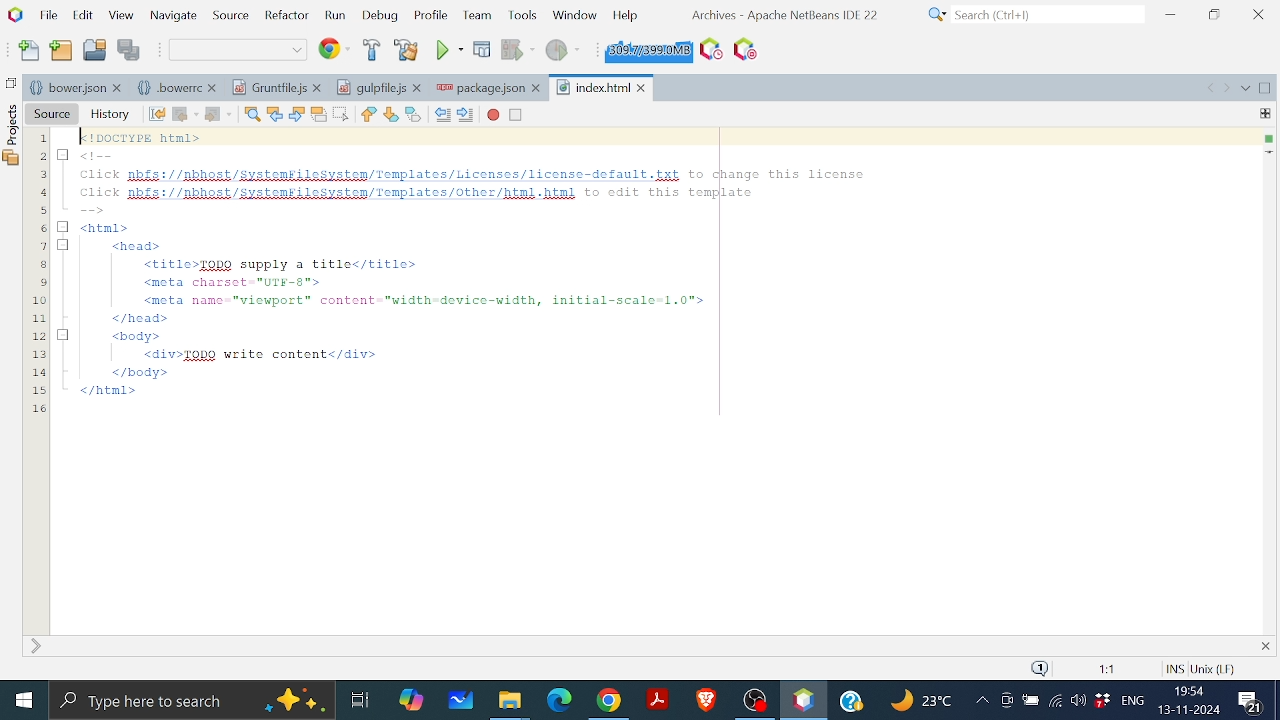 Image resolution: width=1280 pixels, height=720 pixels. What do you see at coordinates (1265, 90) in the screenshot?
I see `maximize window` at bounding box center [1265, 90].